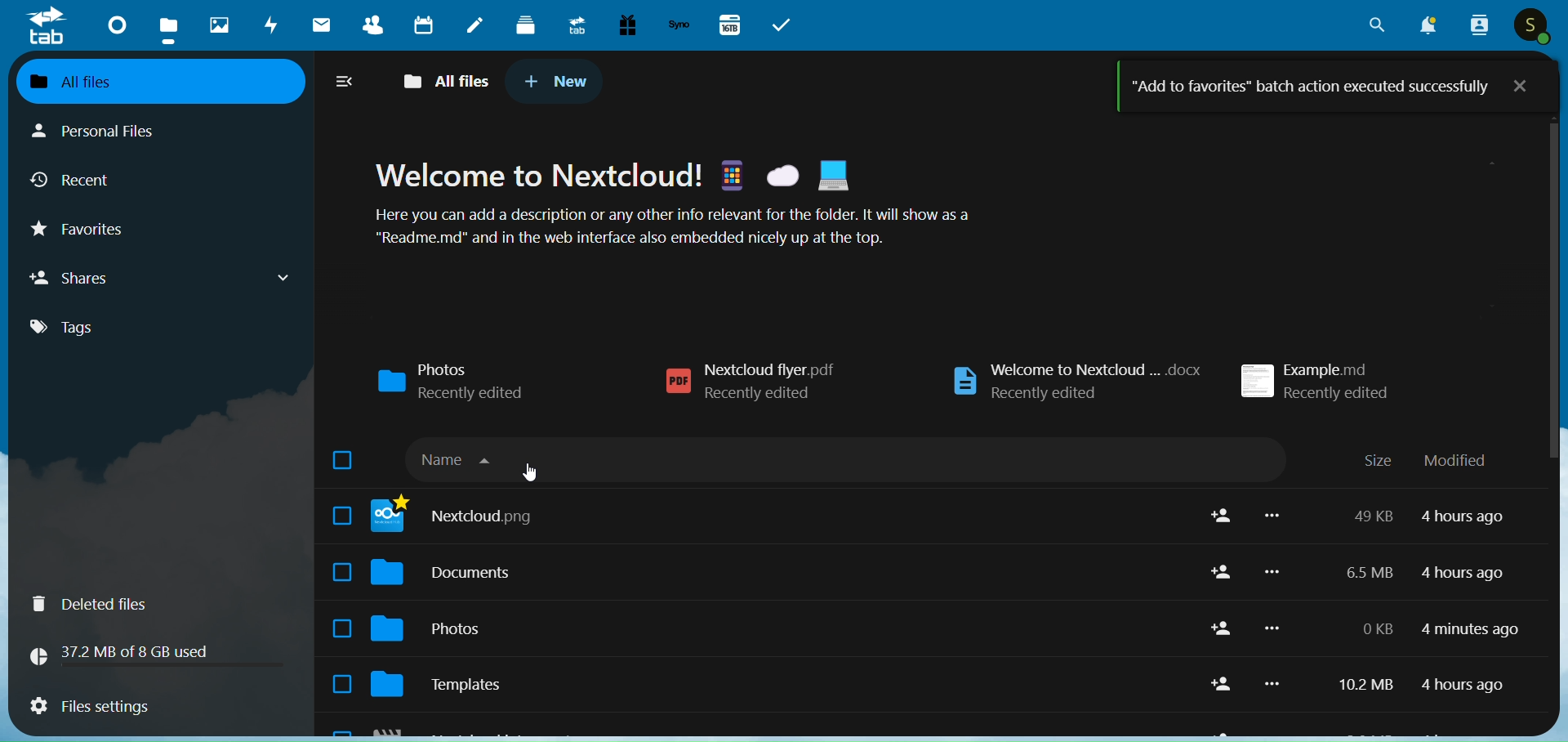 The image size is (1568, 742). I want to click on Cursor, so click(529, 472).